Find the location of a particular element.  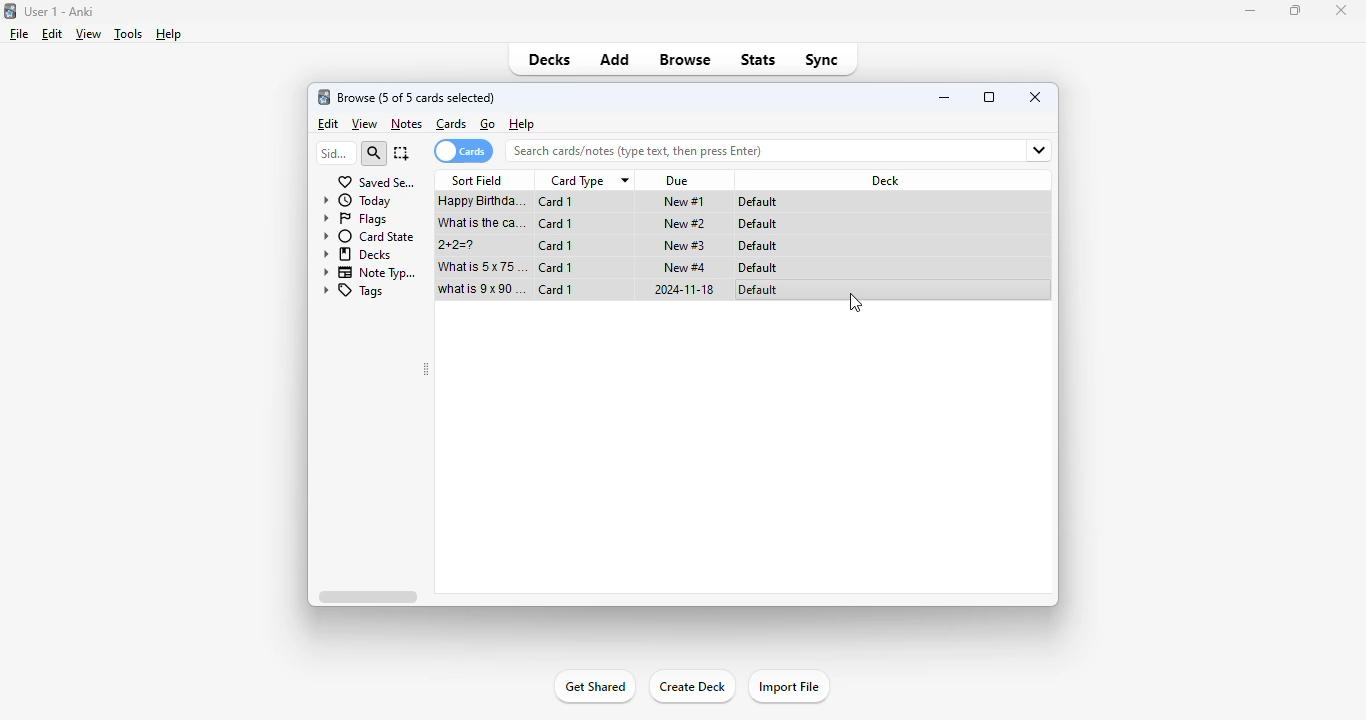

card 1 is located at coordinates (557, 202).